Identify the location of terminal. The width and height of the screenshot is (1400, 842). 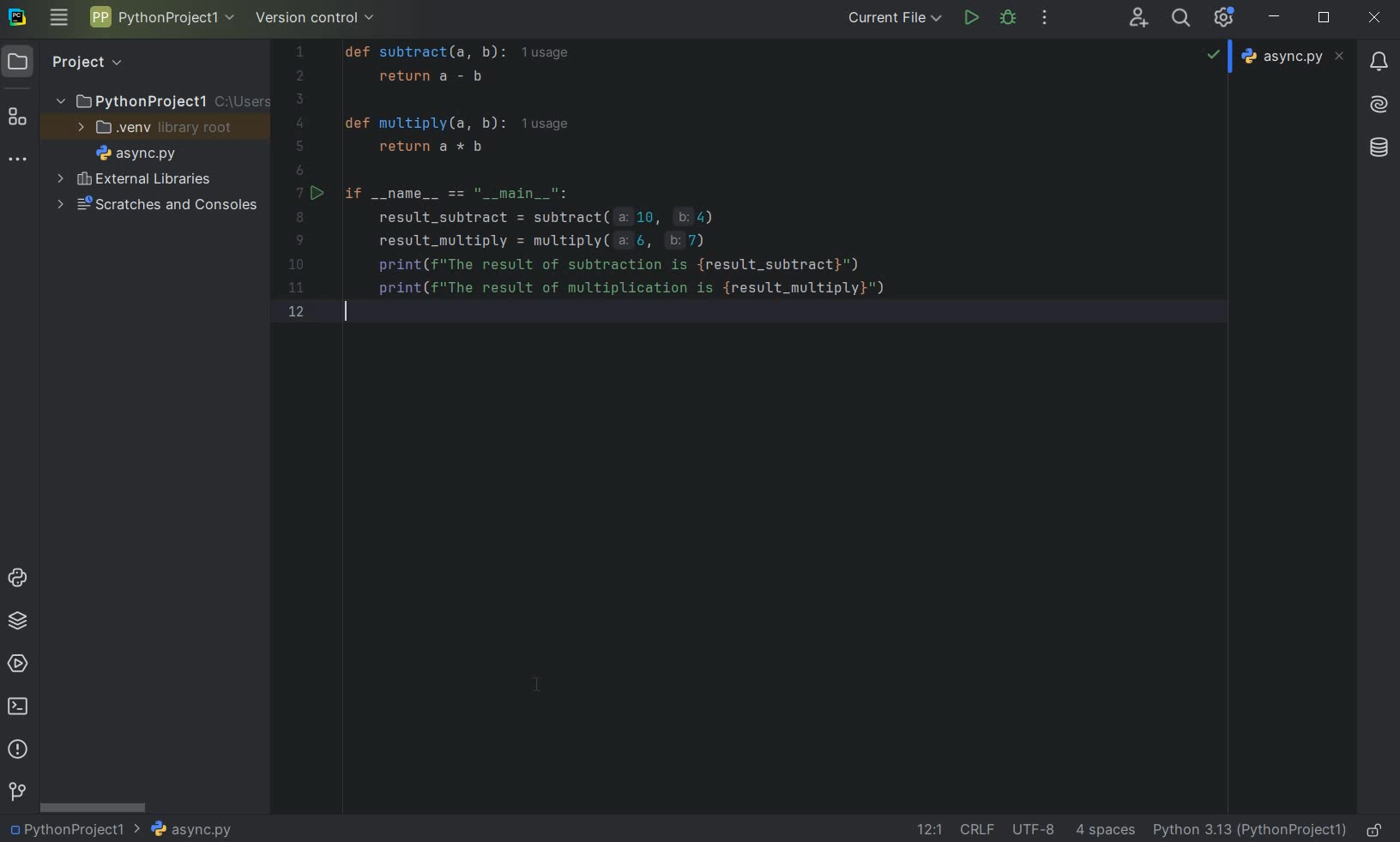
(19, 705).